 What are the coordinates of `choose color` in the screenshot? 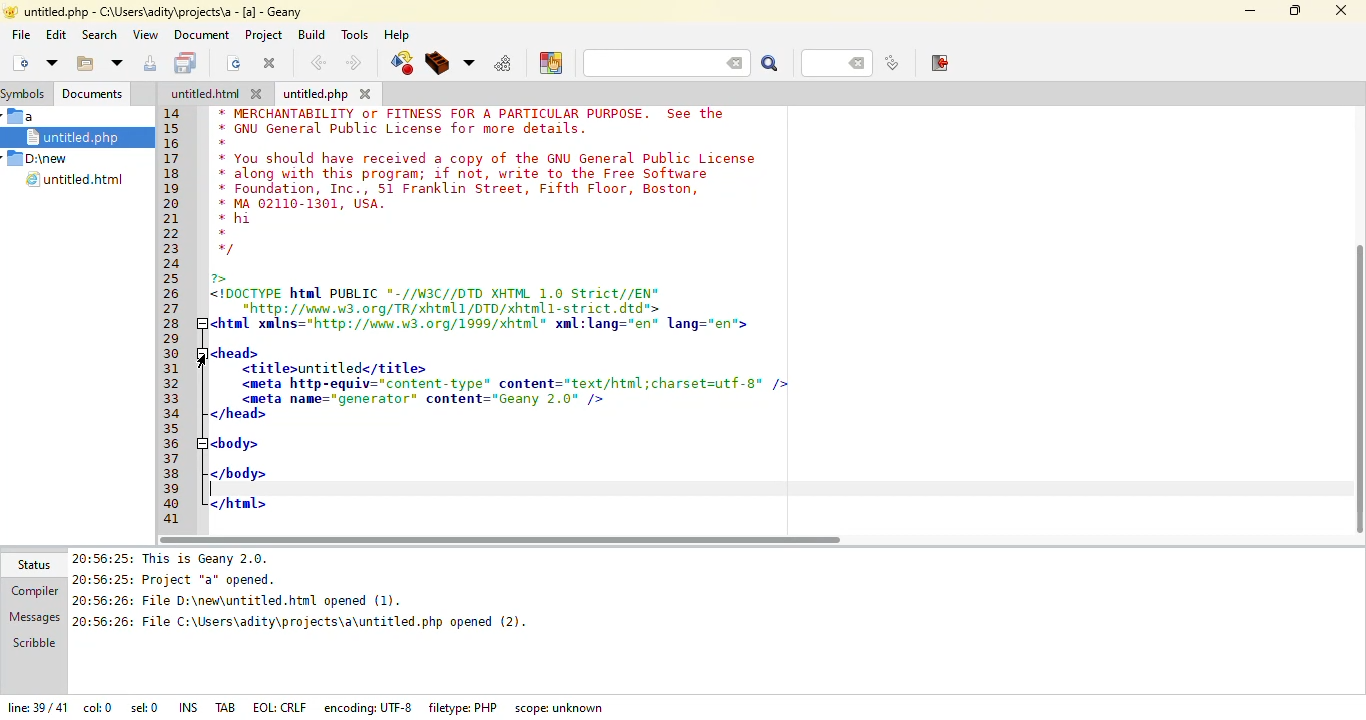 It's located at (550, 64).